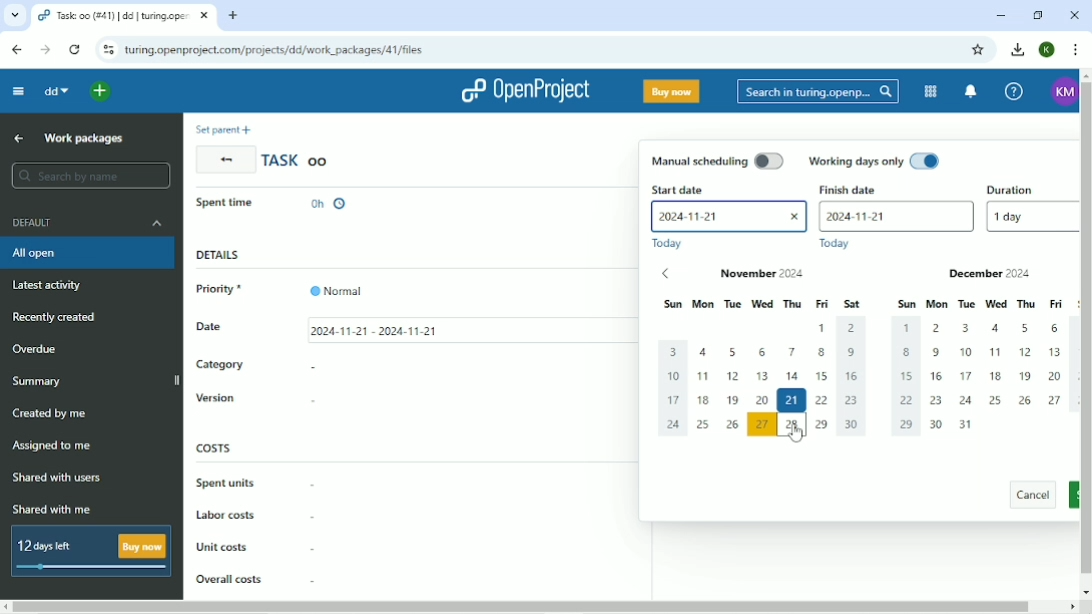 This screenshot has height=614, width=1092. I want to click on K, so click(1047, 50).